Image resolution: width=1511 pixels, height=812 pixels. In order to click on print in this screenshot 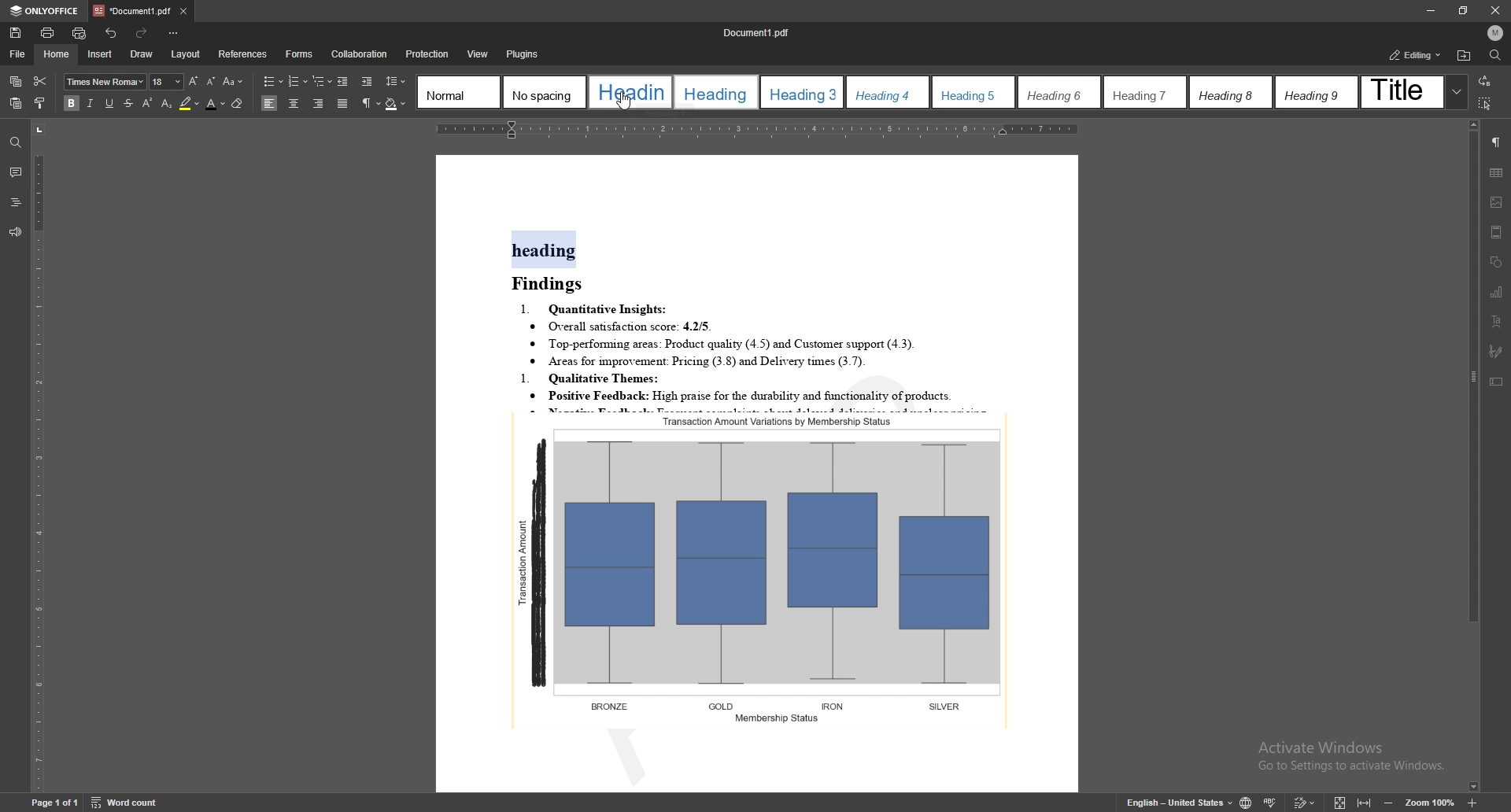, I will do `click(48, 33)`.